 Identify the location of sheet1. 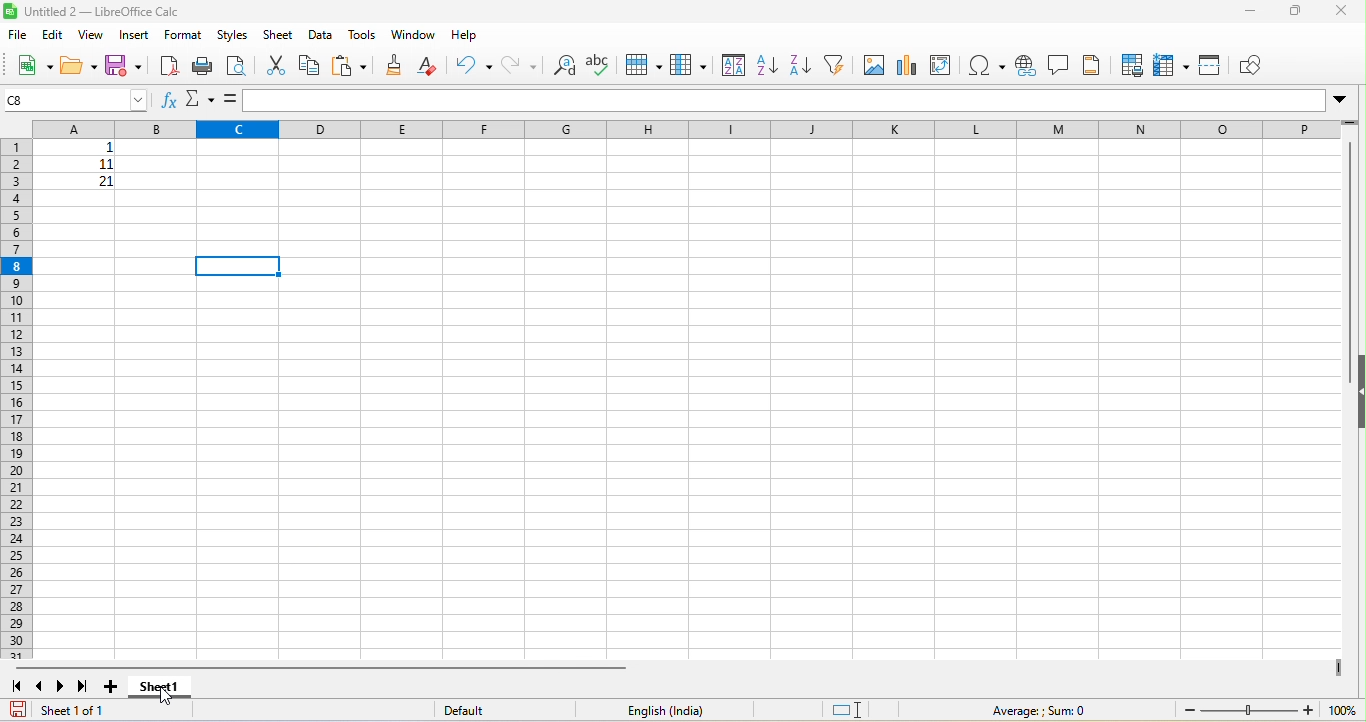
(180, 687).